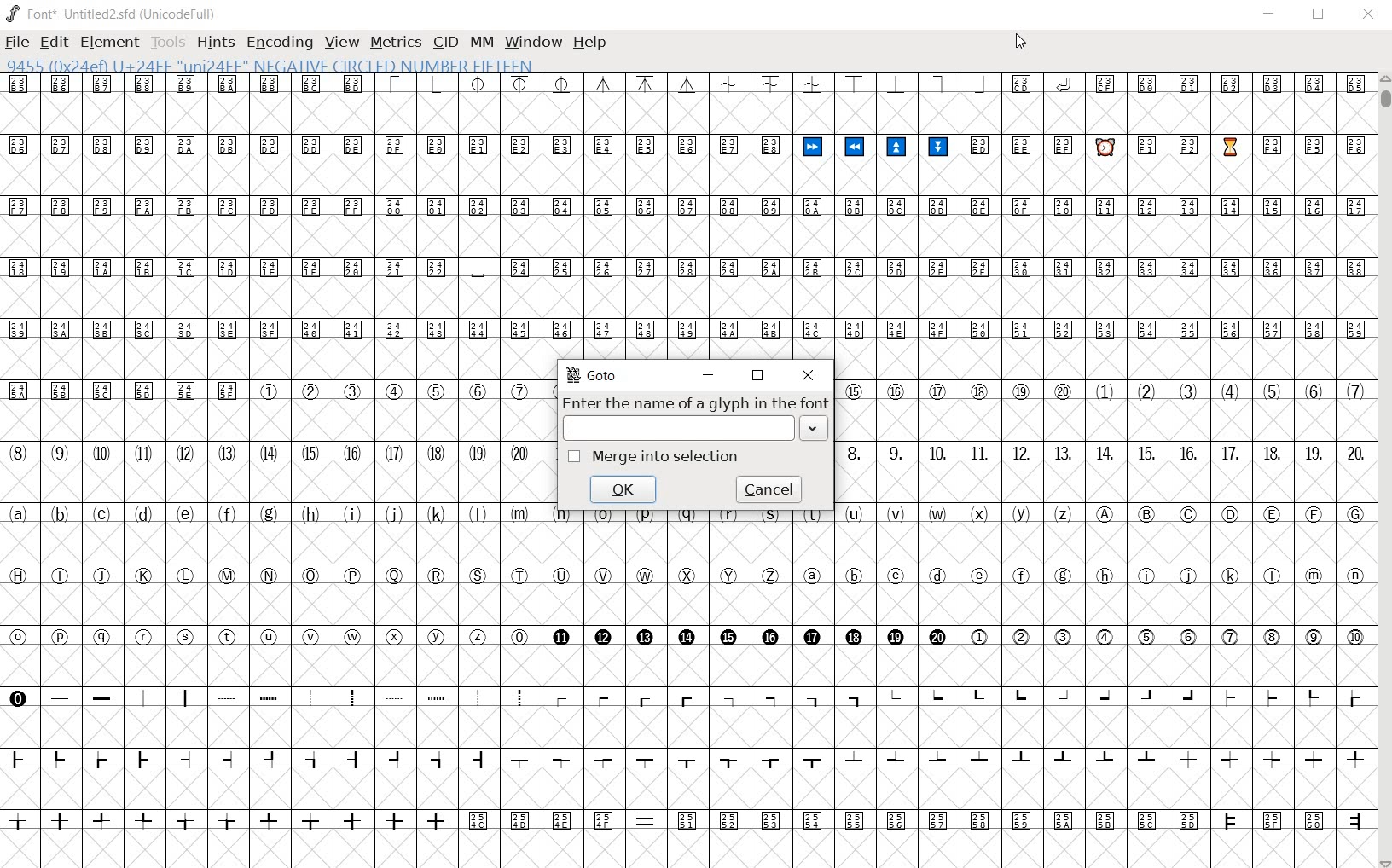  What do you see at coordinates (270, 464) in the screenshot?
I see `GLYPHS` at bounding box center [270, 464].